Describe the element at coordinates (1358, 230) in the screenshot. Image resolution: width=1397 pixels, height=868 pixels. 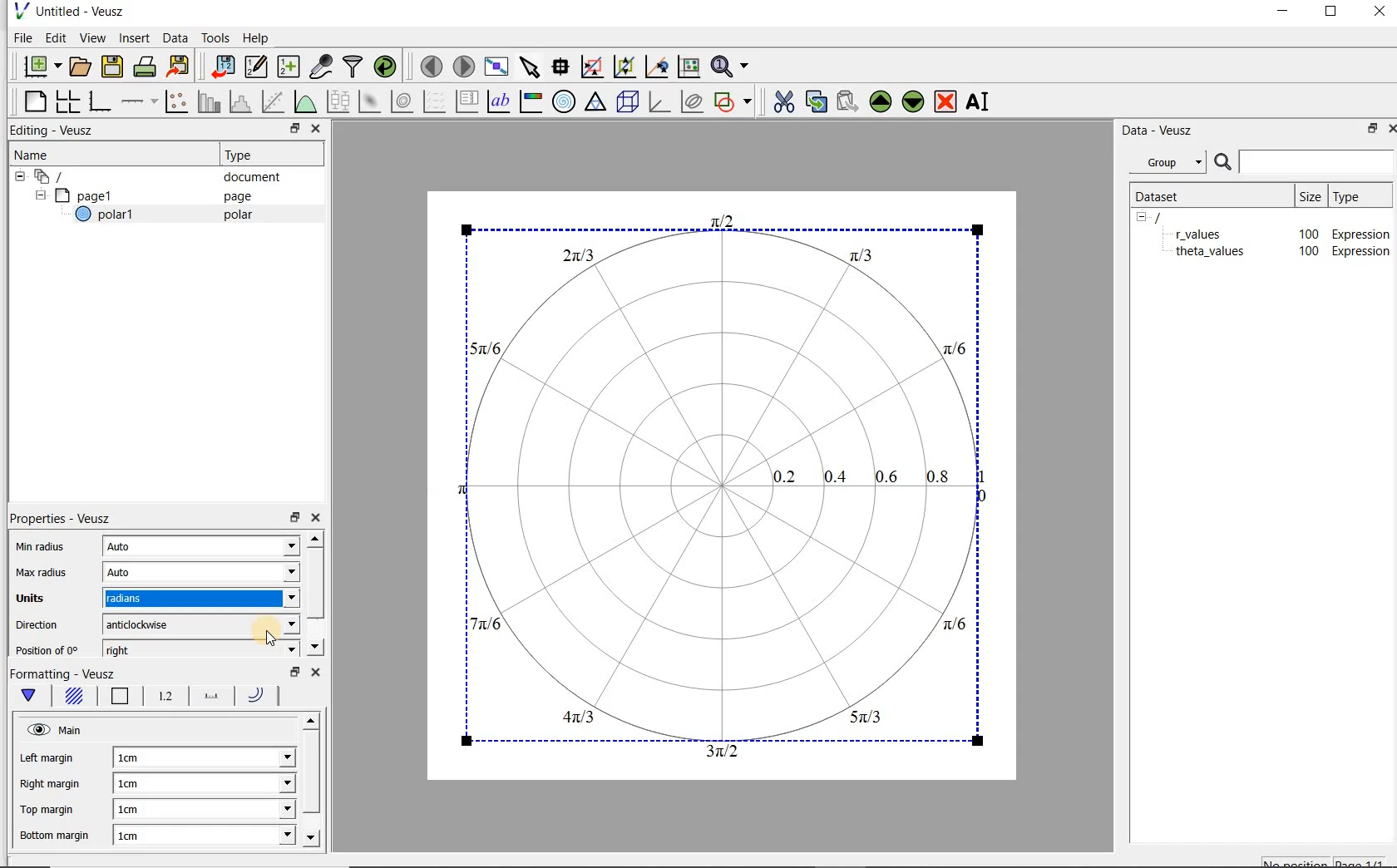
I see `Expression` at that location.